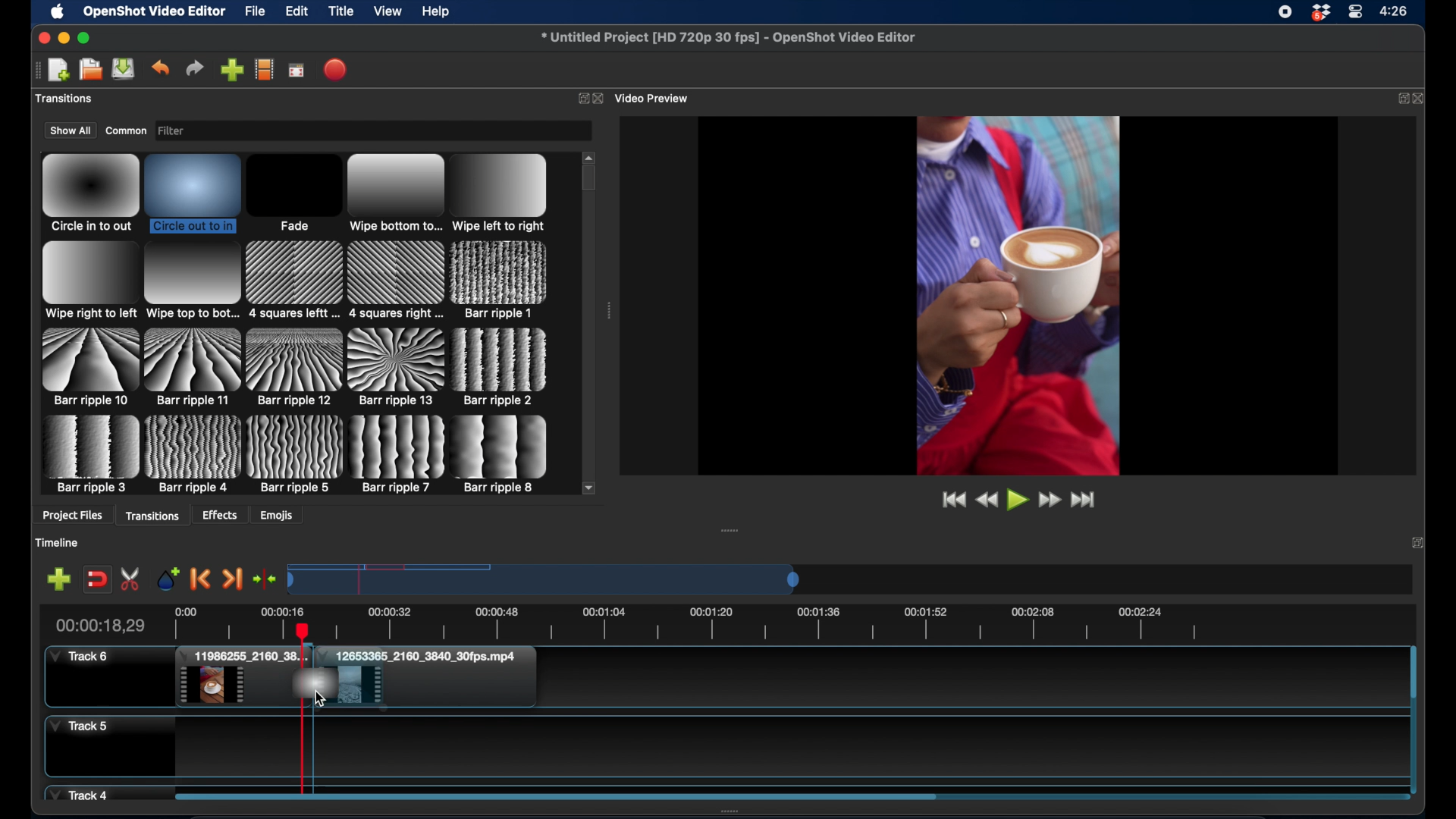  What do you see at coordinates (294, 281) in the screenshot?
I see `transition` at bounding box center [294, 281].